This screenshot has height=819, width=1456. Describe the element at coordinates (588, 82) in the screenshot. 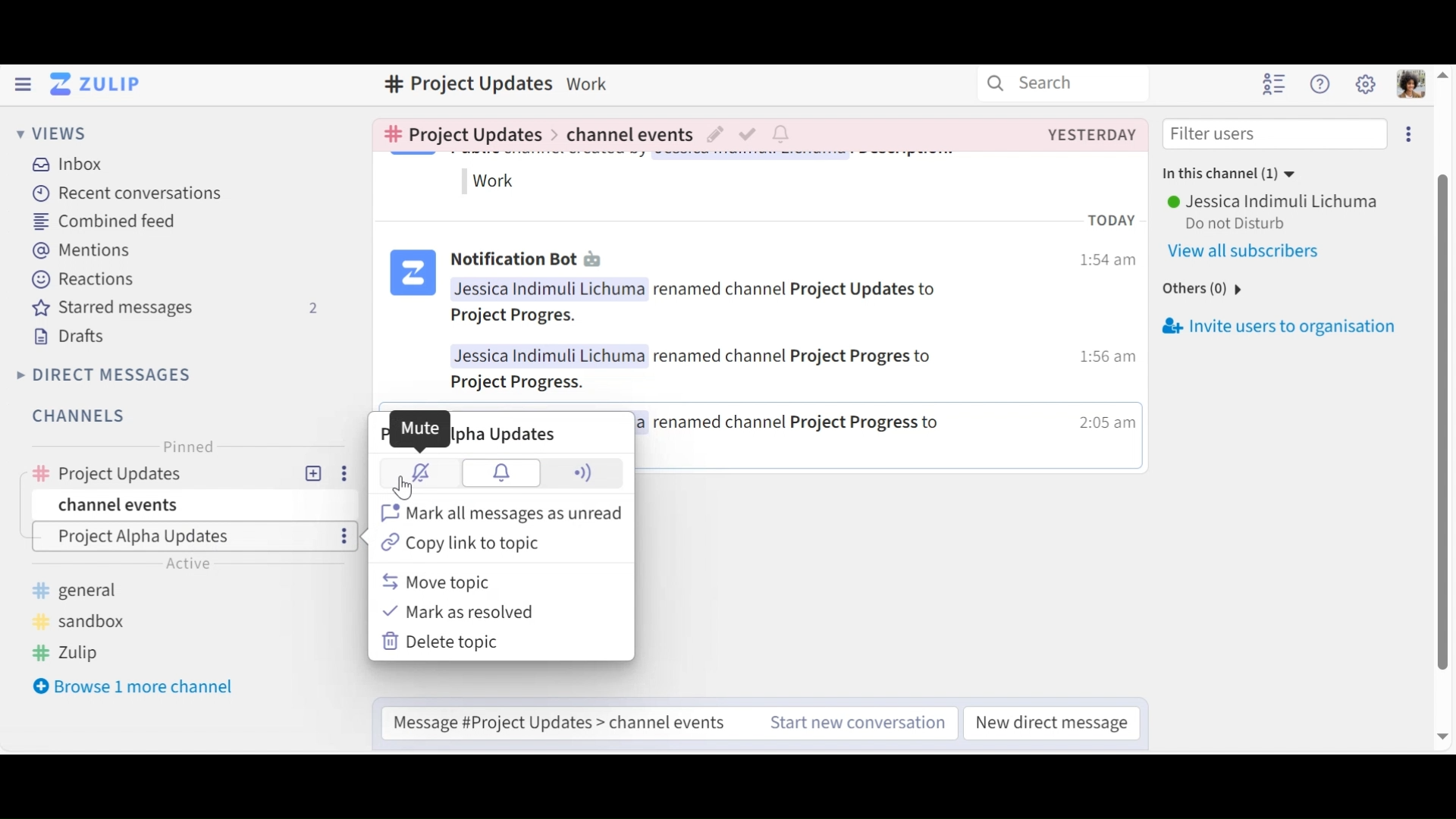

I see `Description` at that location.